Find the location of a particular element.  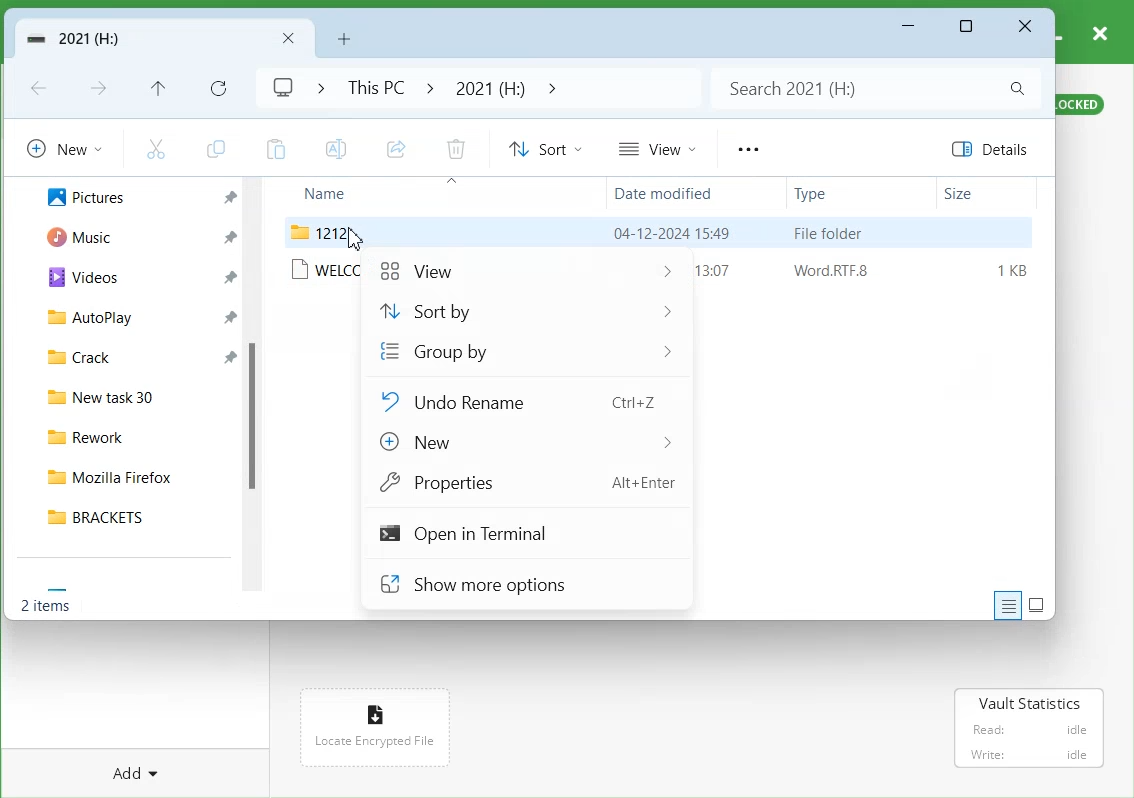

Copy is located at coordinates (216, 145).